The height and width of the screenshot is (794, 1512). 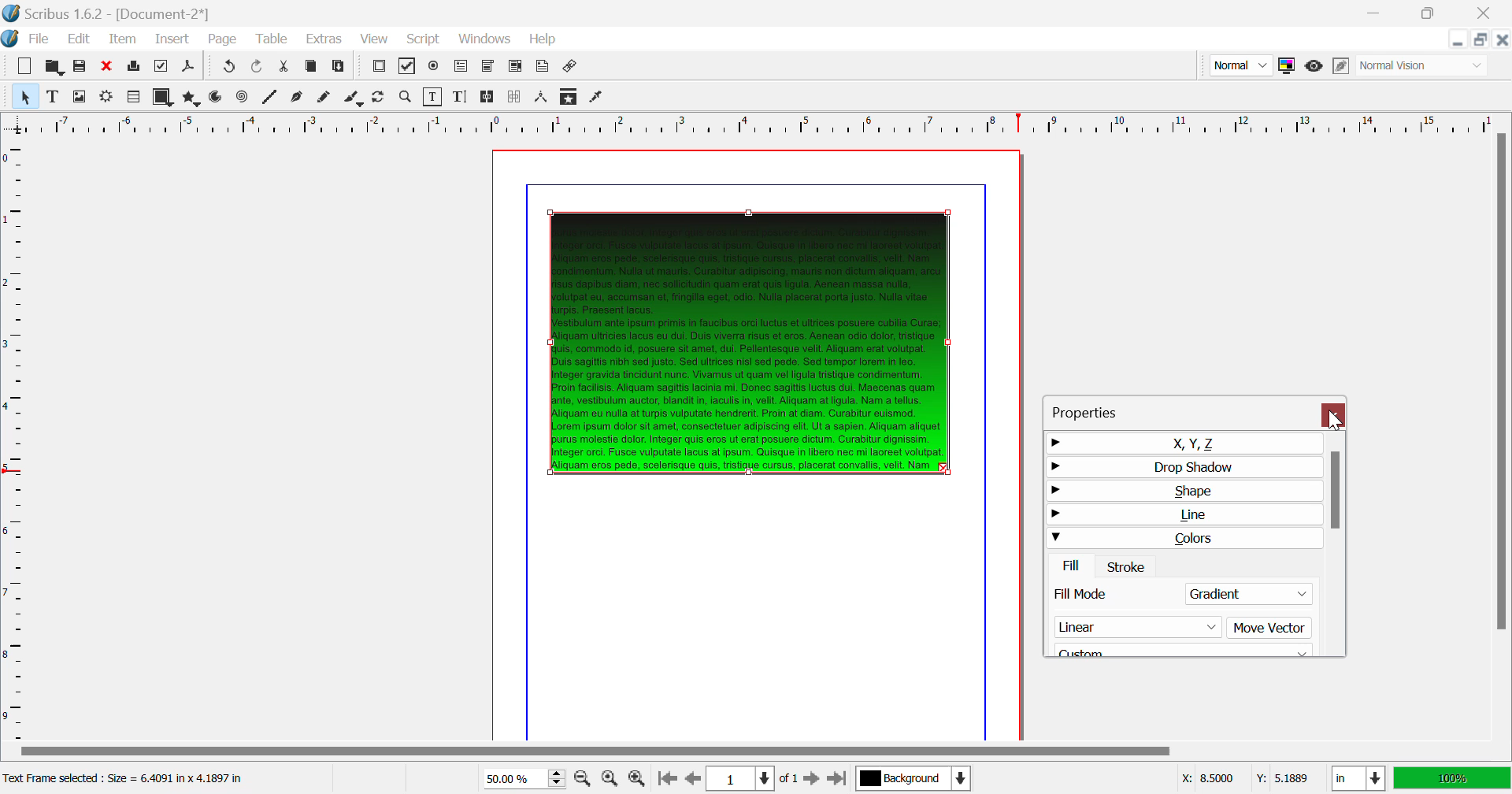 What do you see at coordinates (406, 97) in the screenshot?
I see `Zoom` at bounding box center [406, 97].